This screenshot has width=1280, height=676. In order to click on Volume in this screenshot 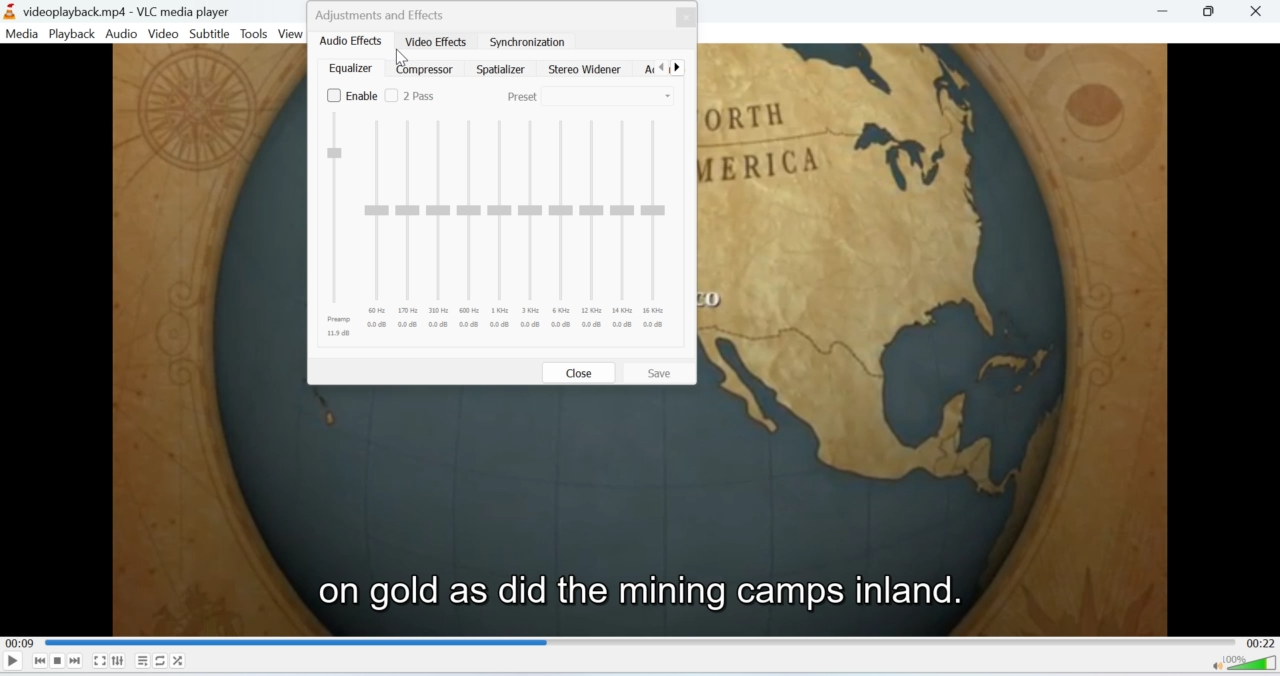, I will do `click(1246, 665)`.